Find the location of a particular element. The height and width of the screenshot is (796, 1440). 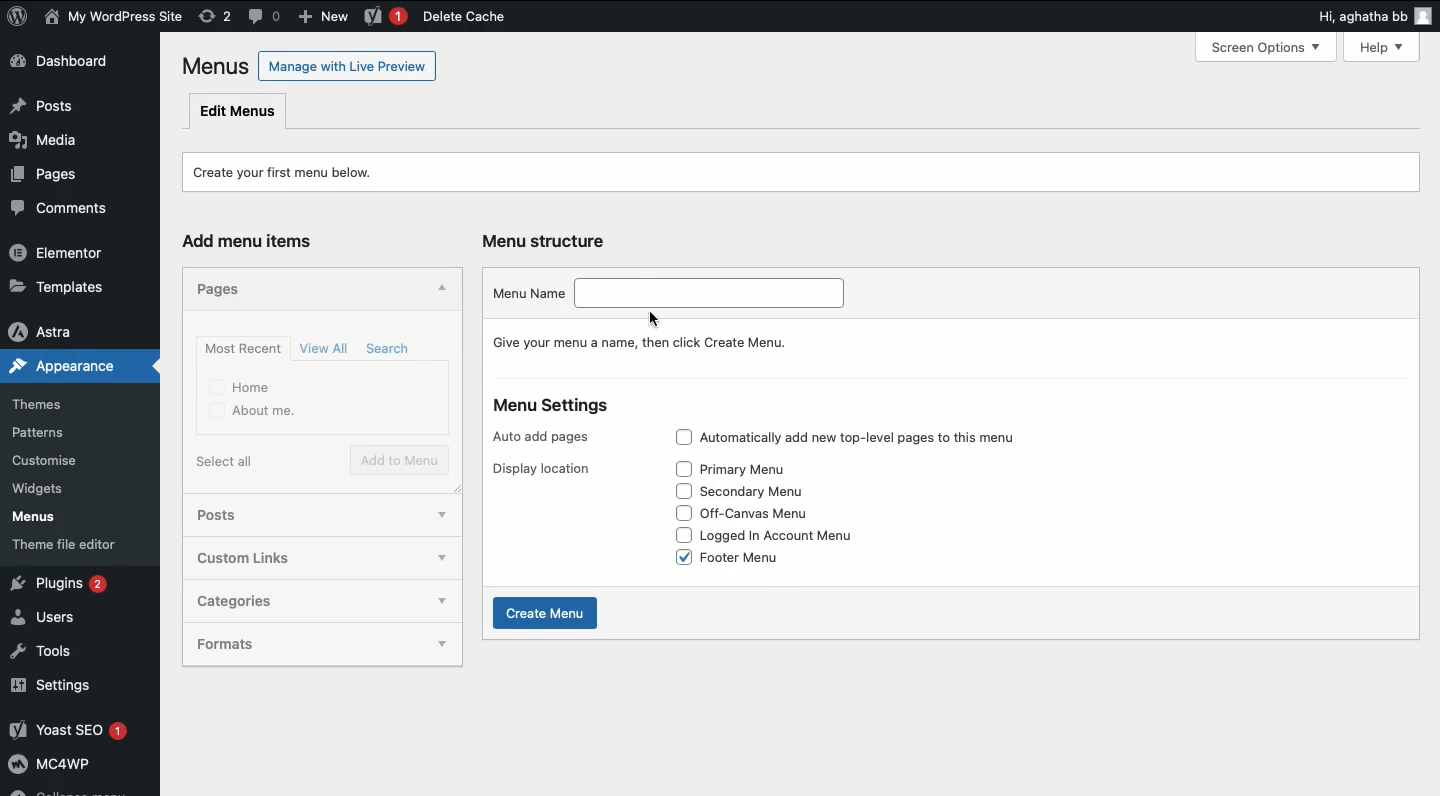

Appearance is located at coordinates (58, 370).